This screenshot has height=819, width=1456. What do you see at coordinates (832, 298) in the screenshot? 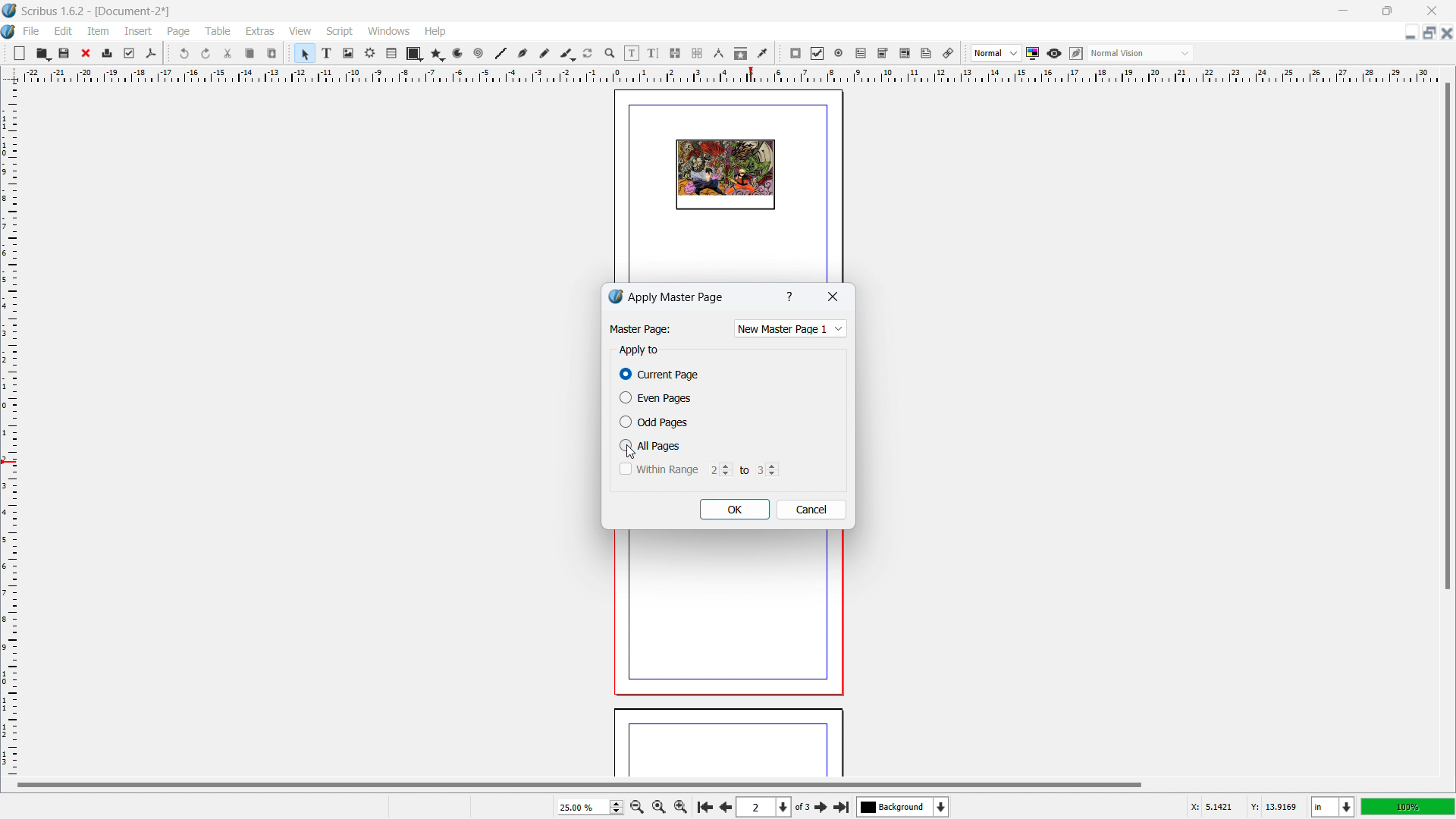
I see `close` at bounding box center [832, 298].